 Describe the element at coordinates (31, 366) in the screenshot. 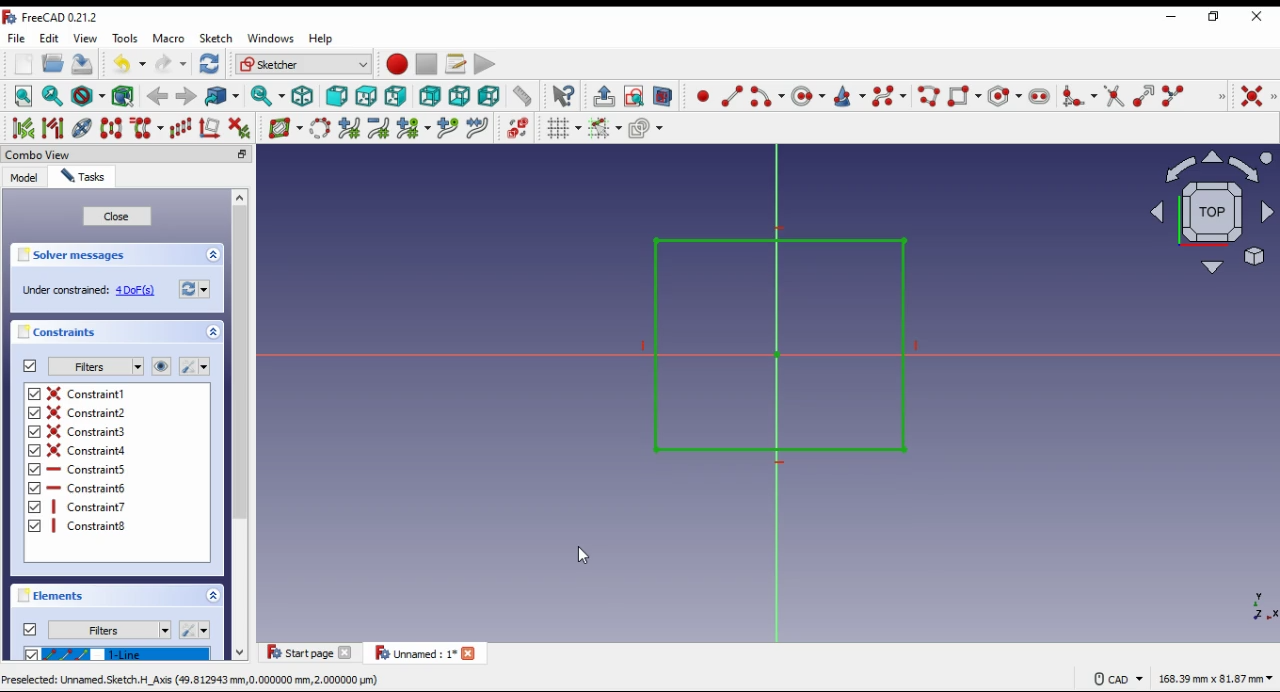

I see `on/off constraints` at that location.